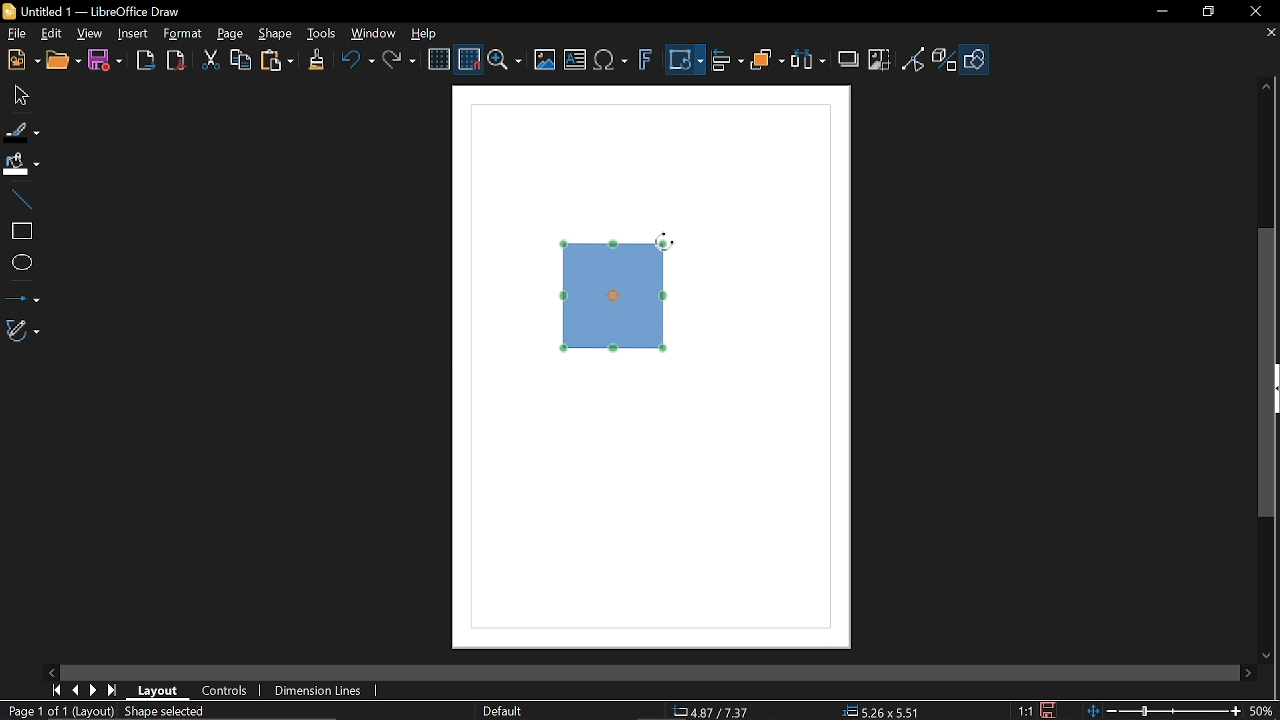 This screenshot has width=1280, height=720. I want to click on Vertical scrollbar, so click(1270, 375).